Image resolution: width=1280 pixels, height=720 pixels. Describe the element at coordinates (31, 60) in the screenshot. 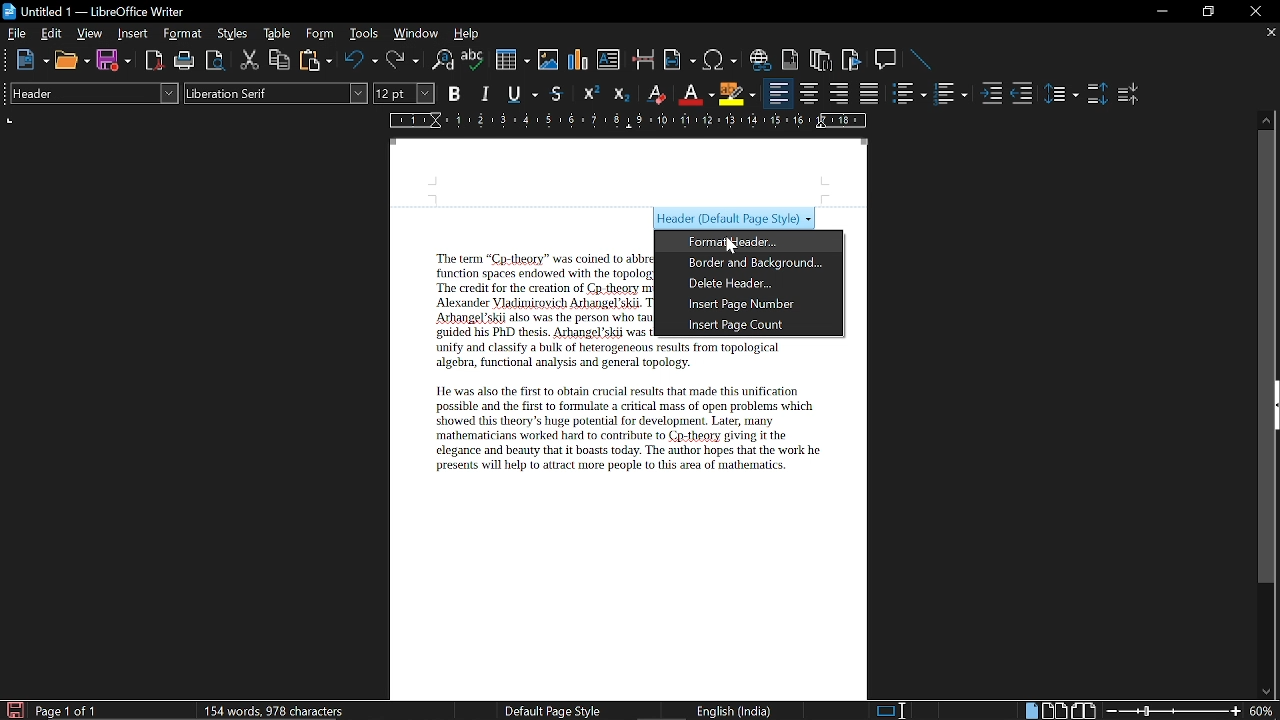

I see `NEw` at that location.